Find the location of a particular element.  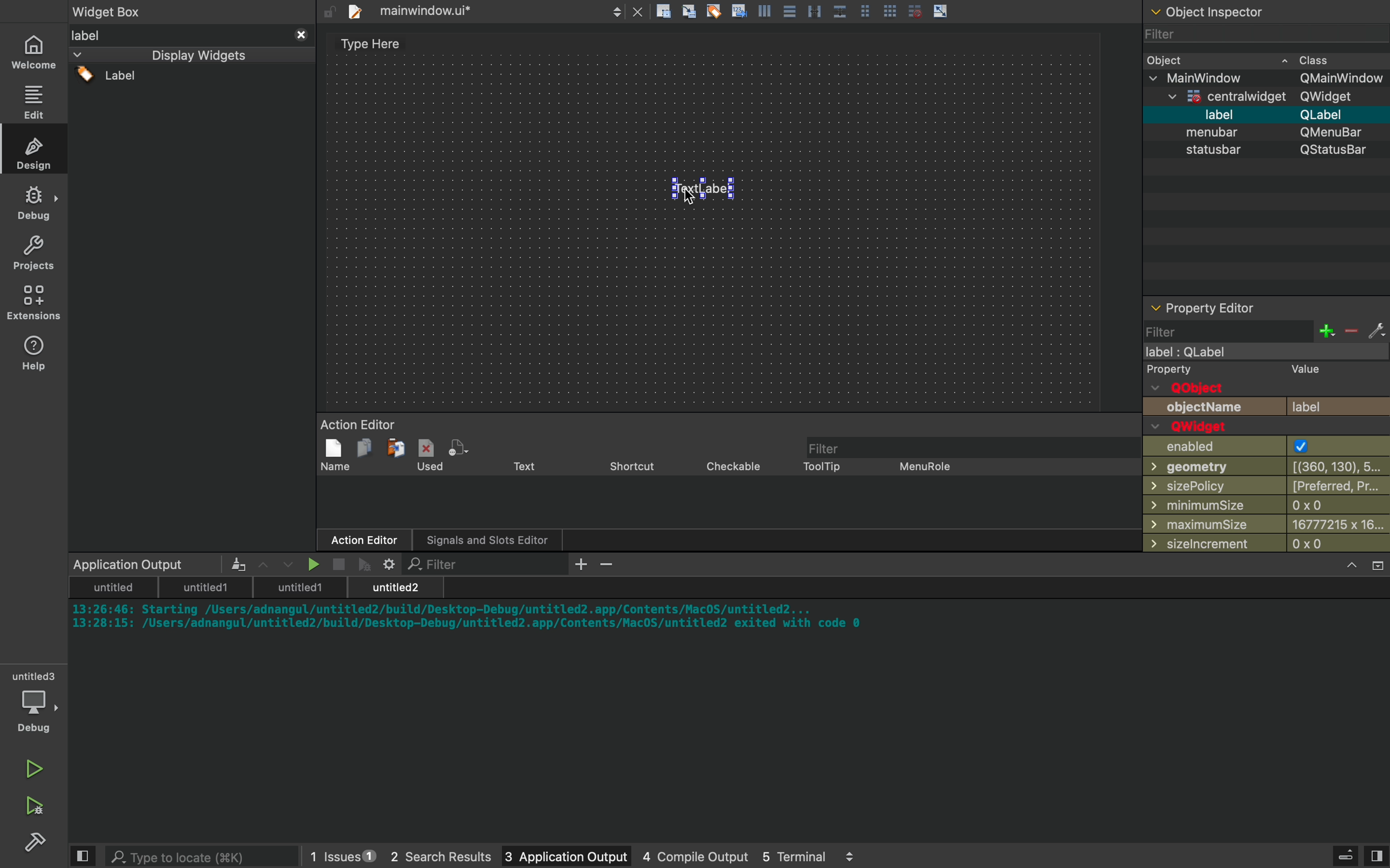

3 application output is located at coordinates (550, 857).